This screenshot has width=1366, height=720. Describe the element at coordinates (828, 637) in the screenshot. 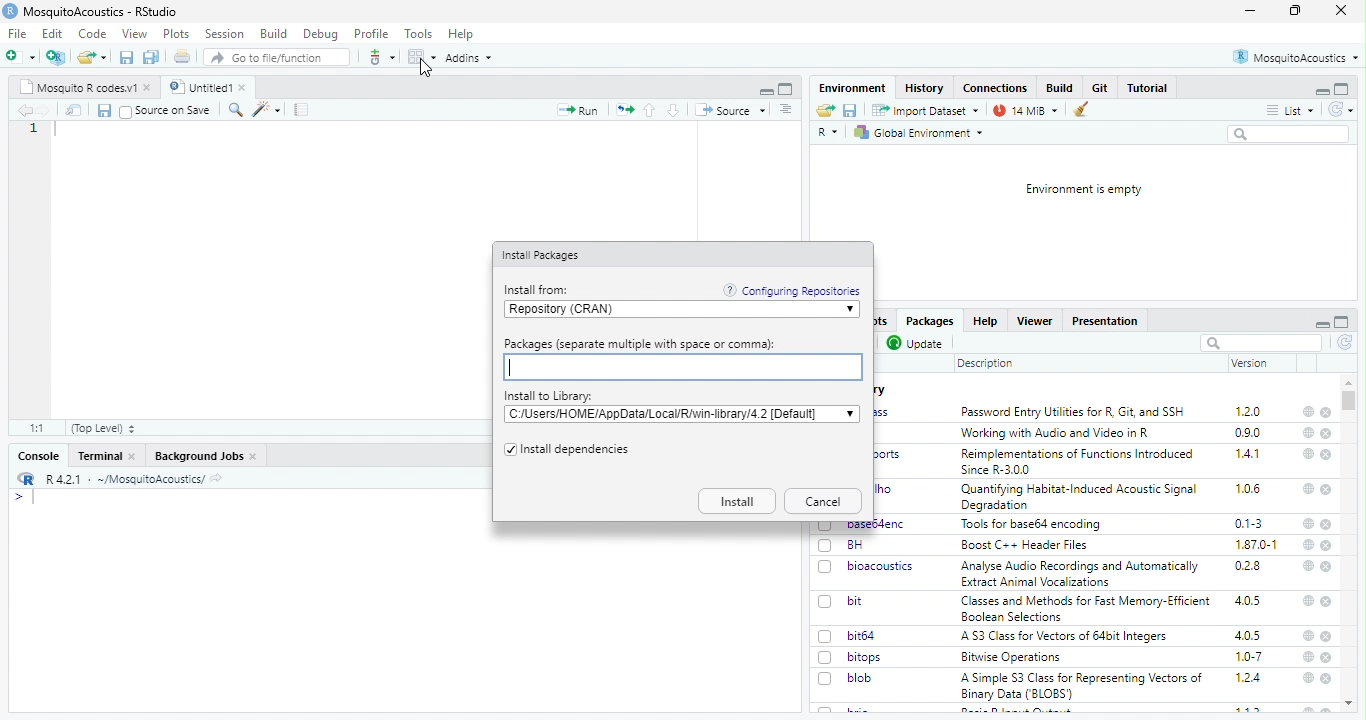

I see `checkbox` at that location.